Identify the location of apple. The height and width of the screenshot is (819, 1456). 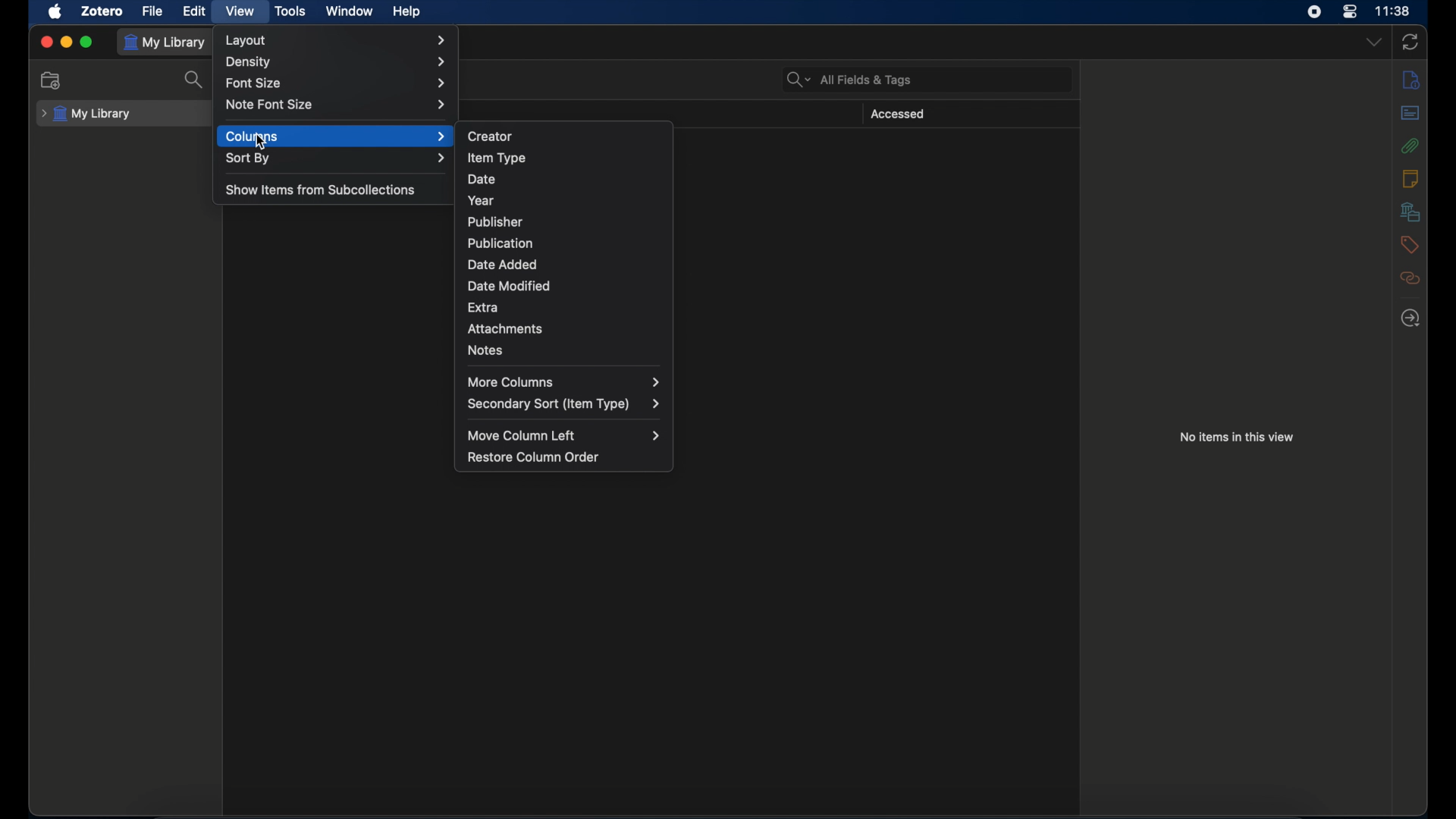
(55, 12).